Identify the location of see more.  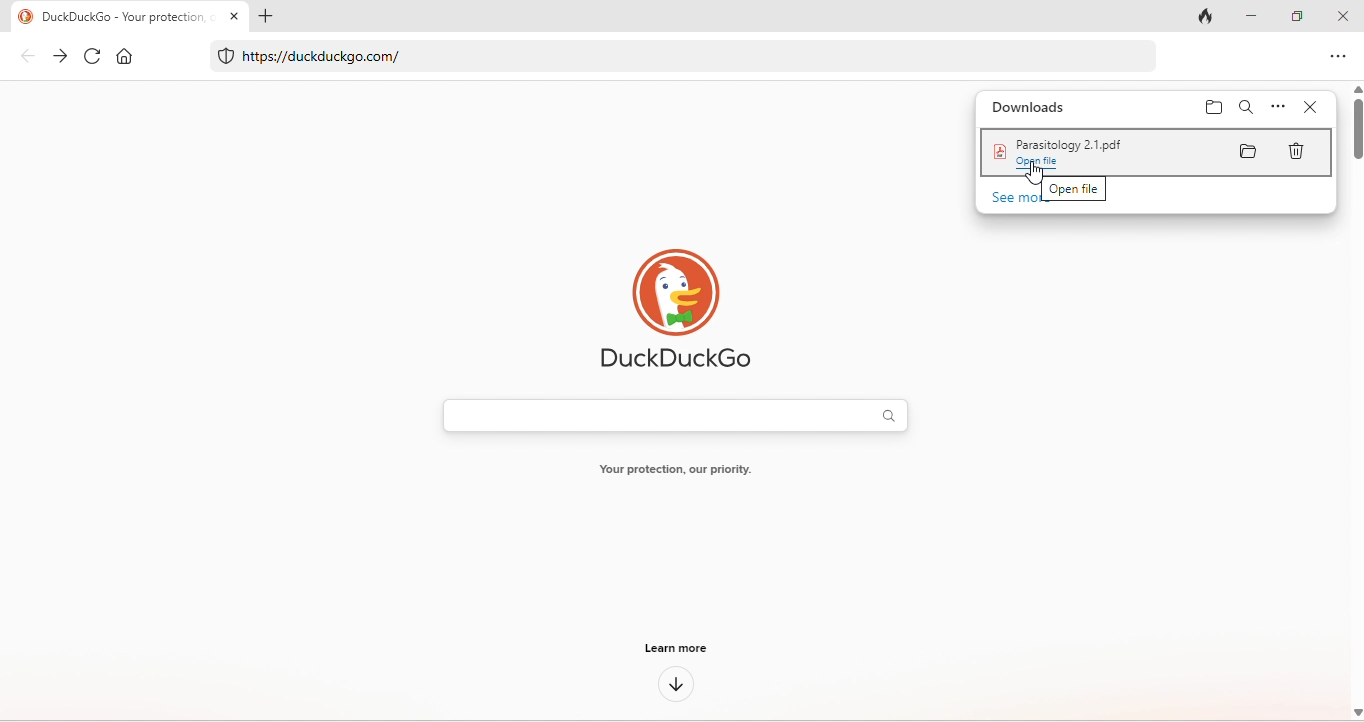
(1012, 196).